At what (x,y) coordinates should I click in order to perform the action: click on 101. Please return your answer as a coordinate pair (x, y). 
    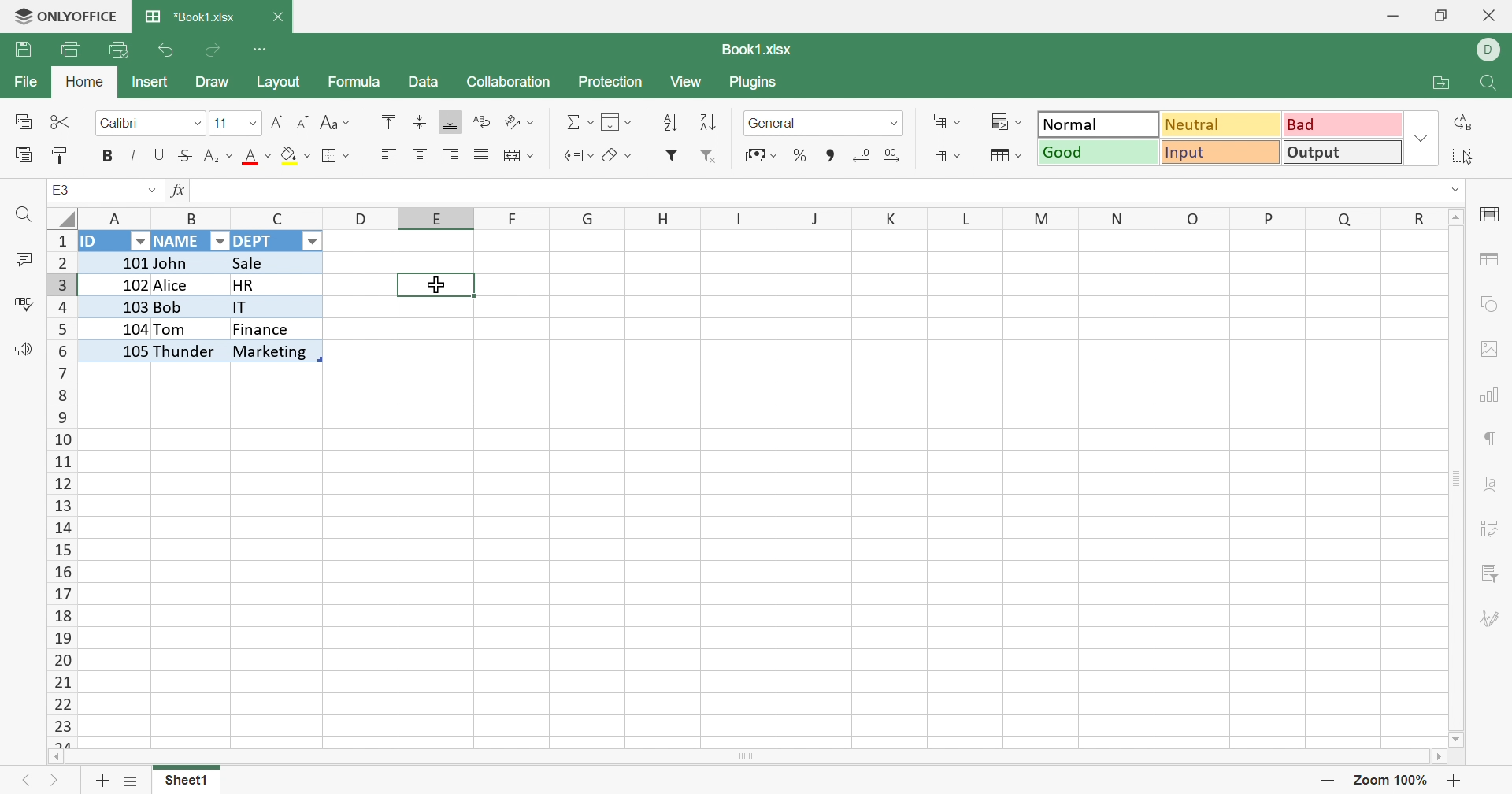
    Looking at the image, I should click on (117, 260).